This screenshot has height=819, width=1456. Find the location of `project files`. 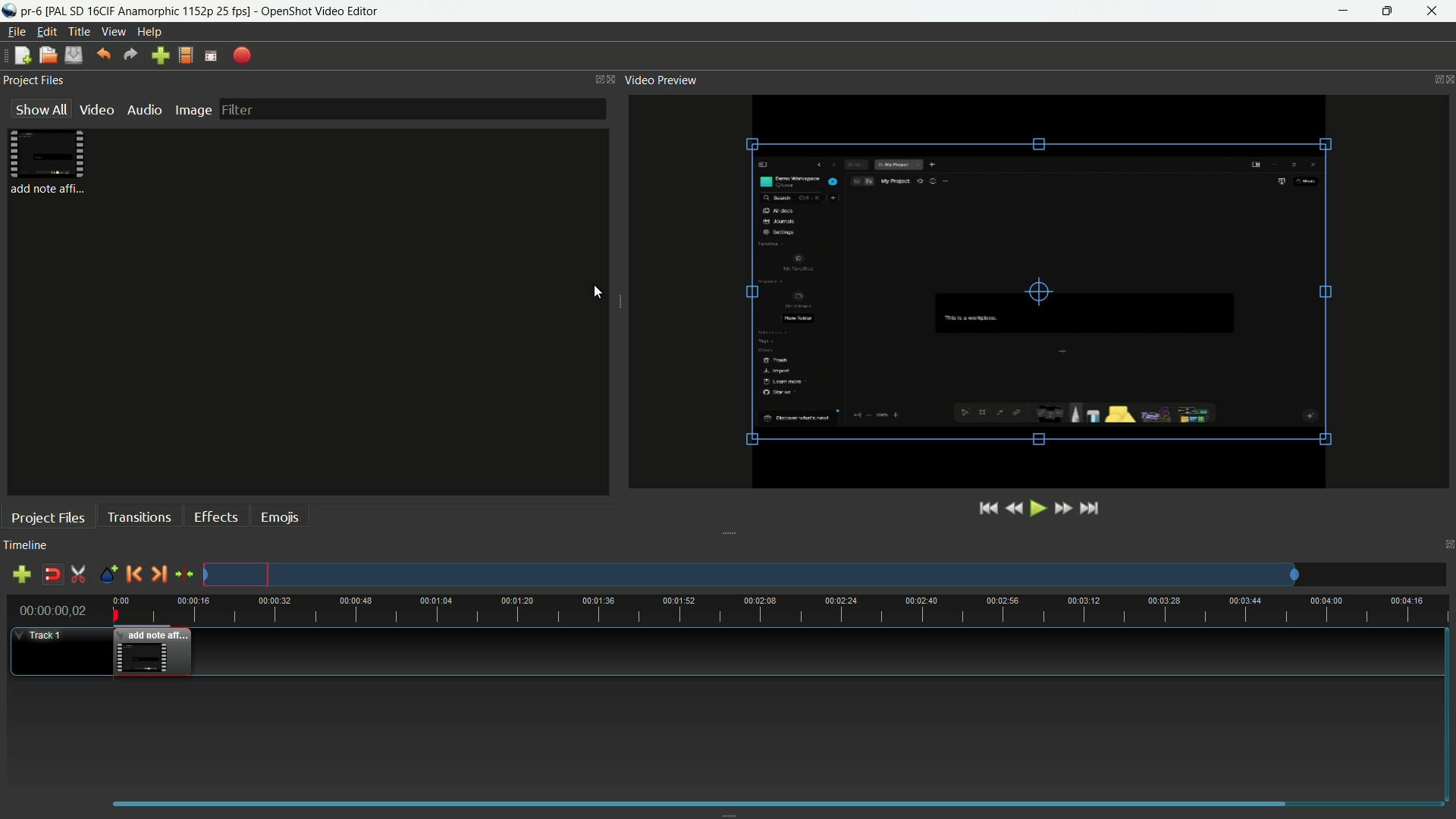

project files is located at coordinates (52, 164).